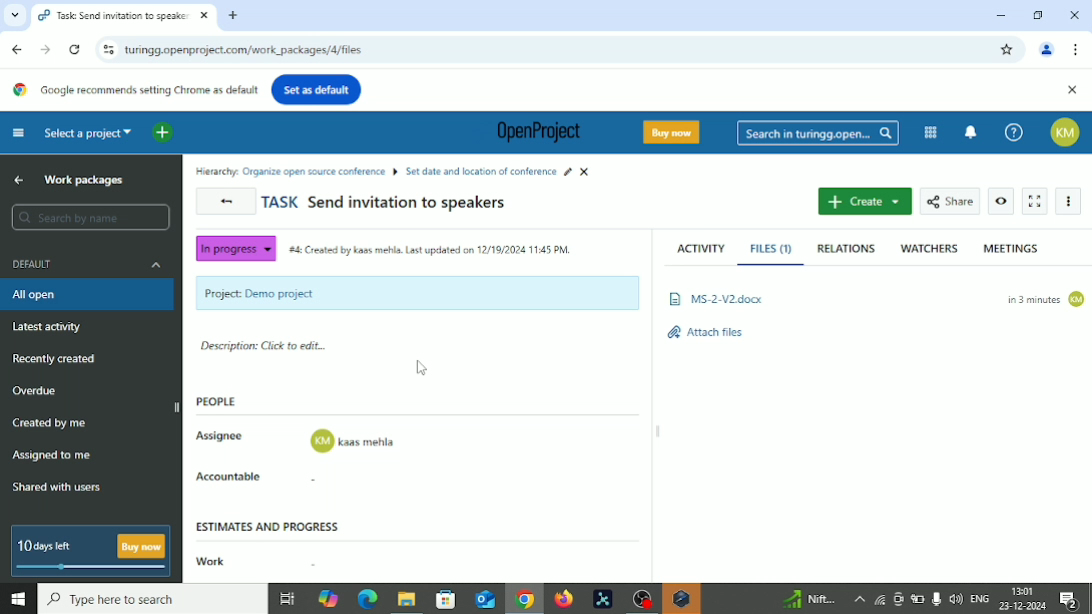 Image resolution: width=1092 pixels, height=614 pixels. I want to click on Task, so click(385, 204).